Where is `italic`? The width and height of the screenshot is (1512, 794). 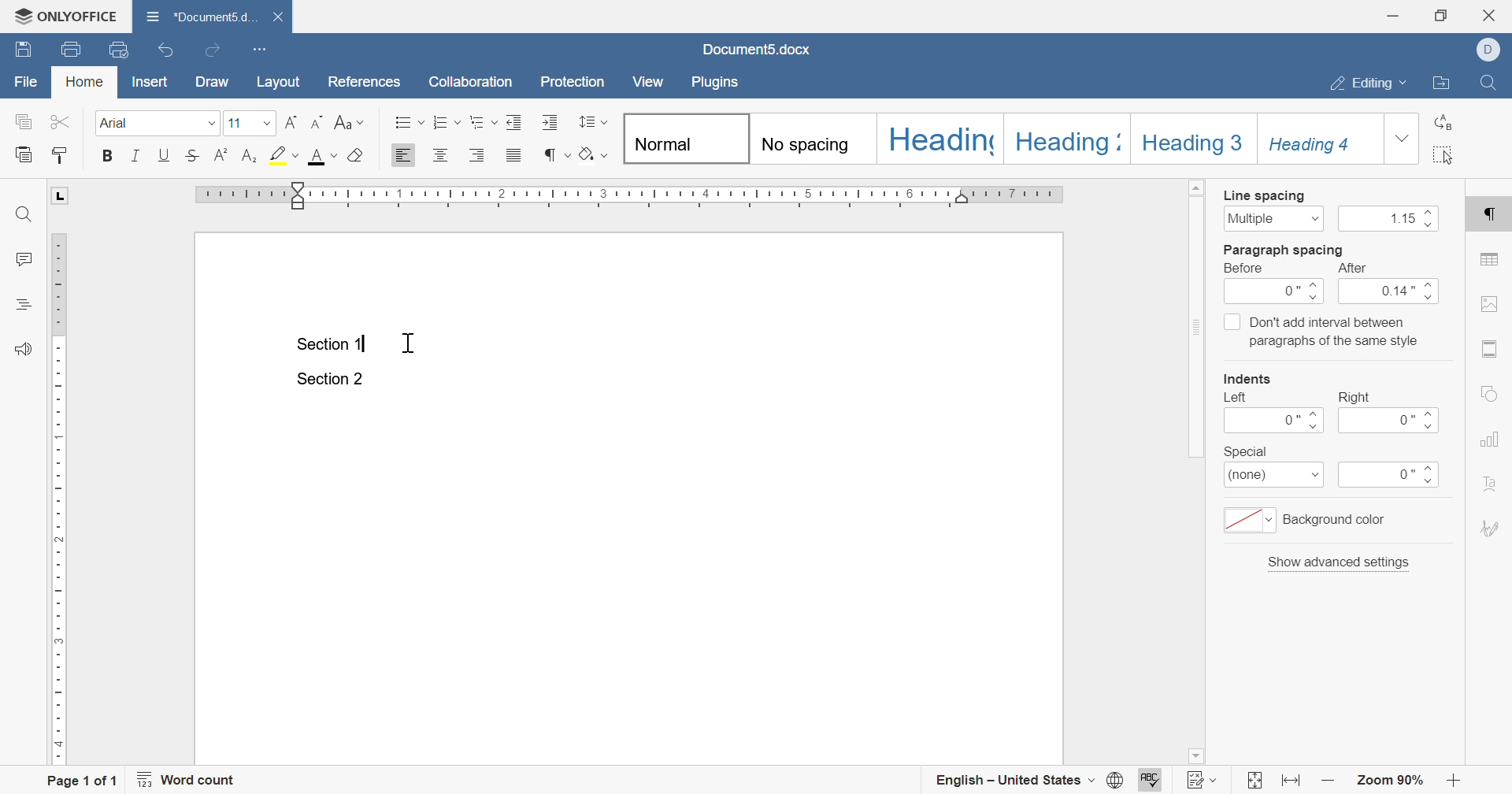
italic is located at coordinates (135, 154).